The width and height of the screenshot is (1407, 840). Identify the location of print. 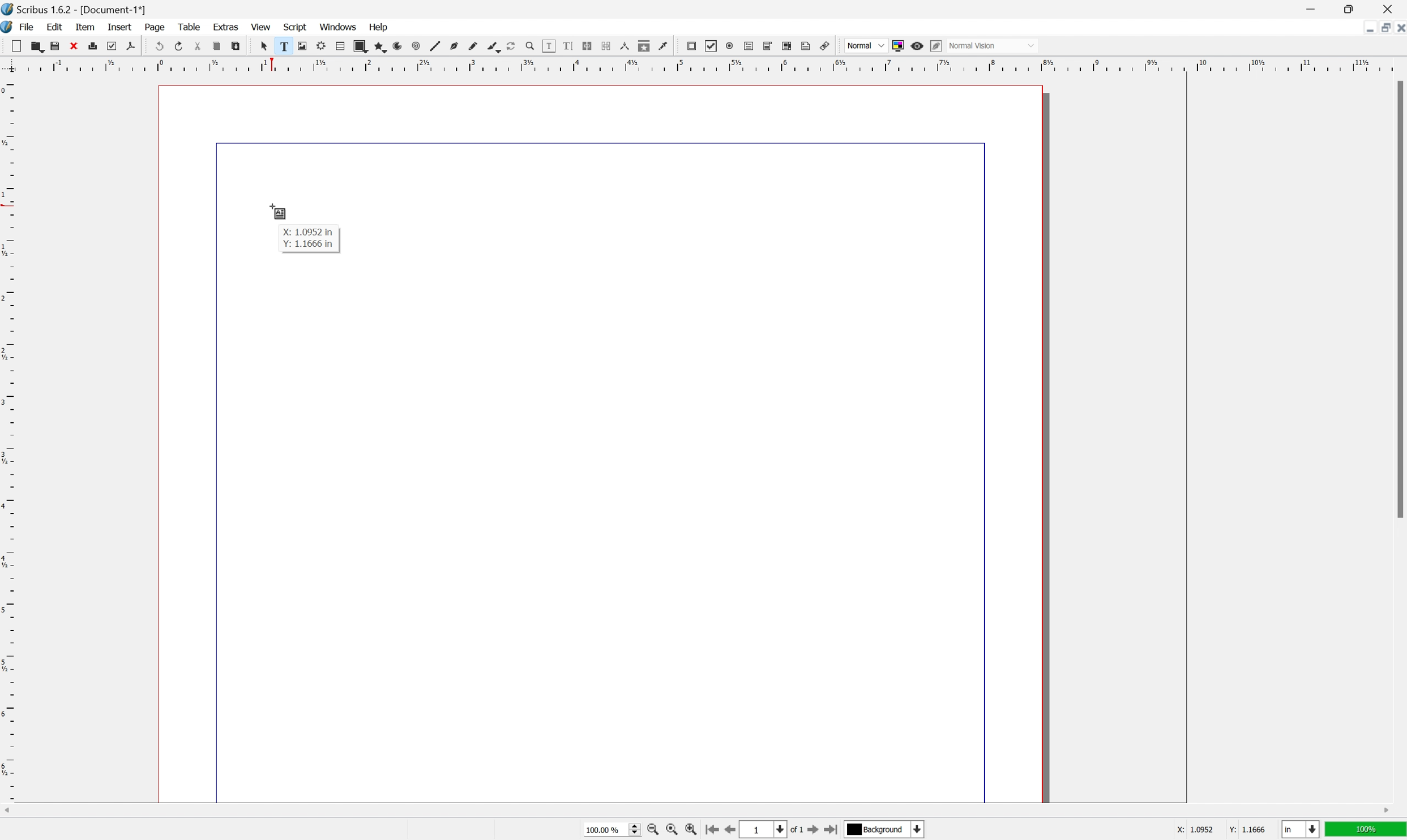
(93, 45).